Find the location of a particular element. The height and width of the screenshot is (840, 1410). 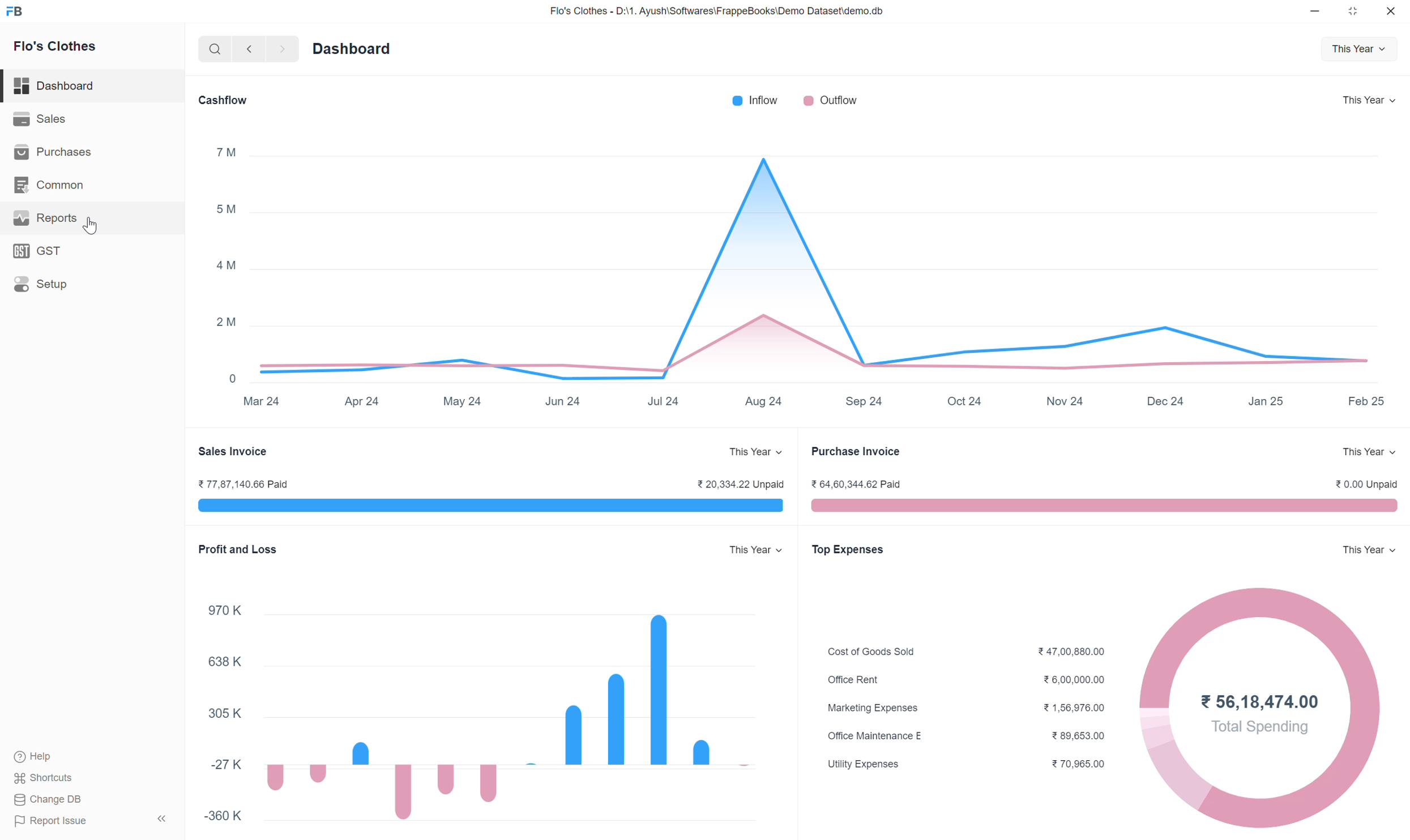

cursor is located at coordinates (88, 228).